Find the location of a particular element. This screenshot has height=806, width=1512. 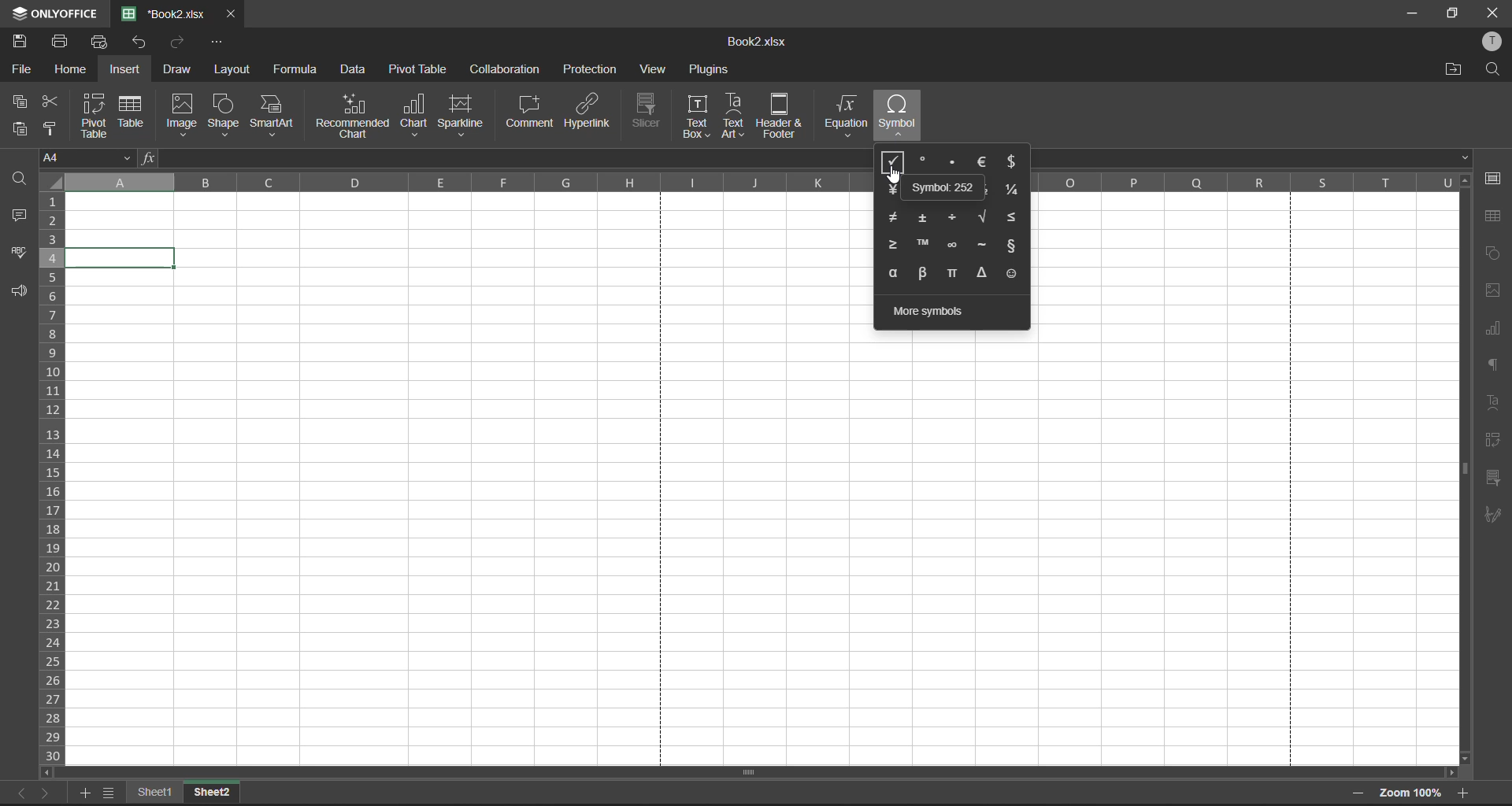

close is located at coordinates (231, 13).